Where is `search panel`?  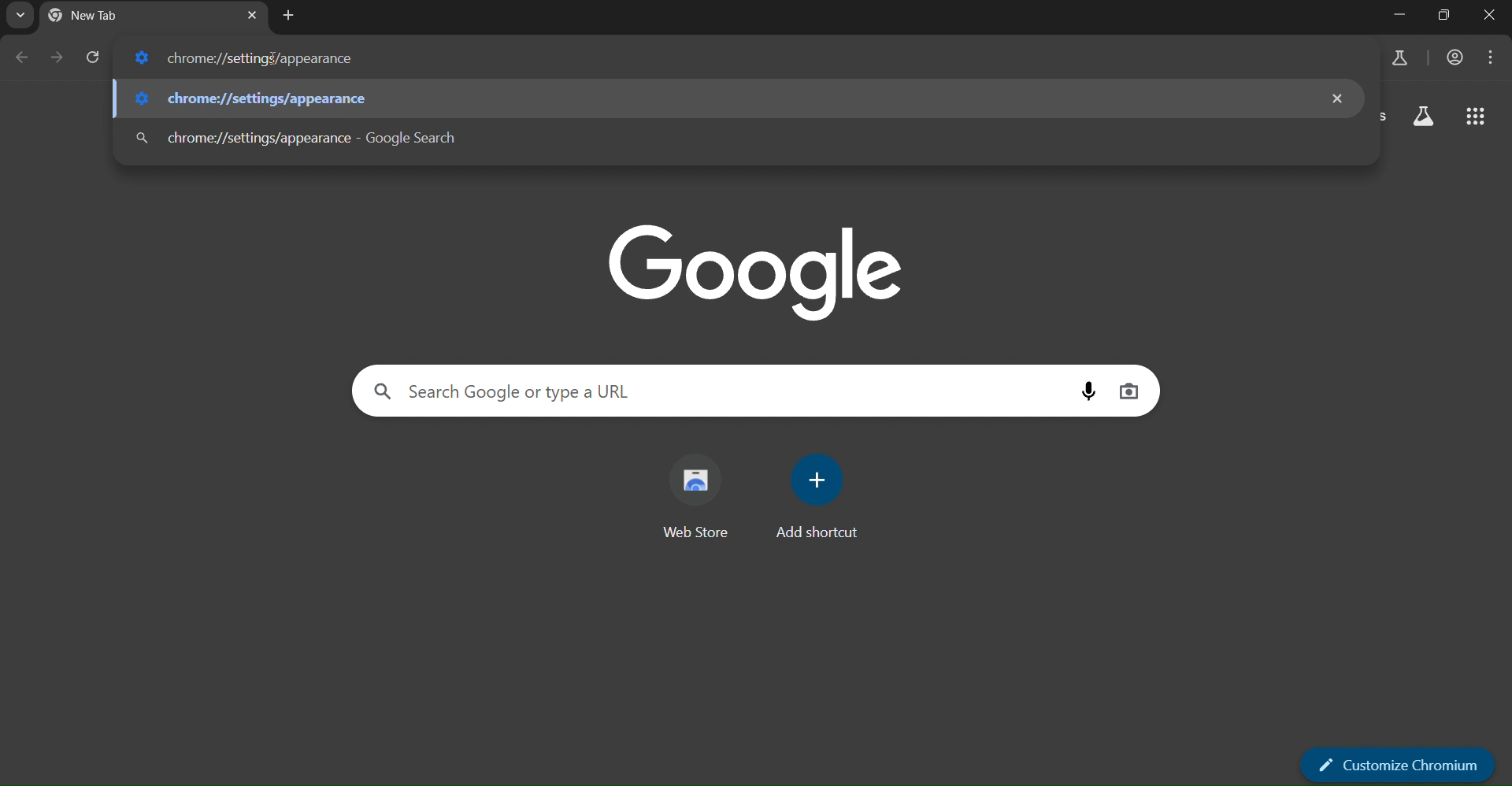 search panel is located at coordinates (510, 390).